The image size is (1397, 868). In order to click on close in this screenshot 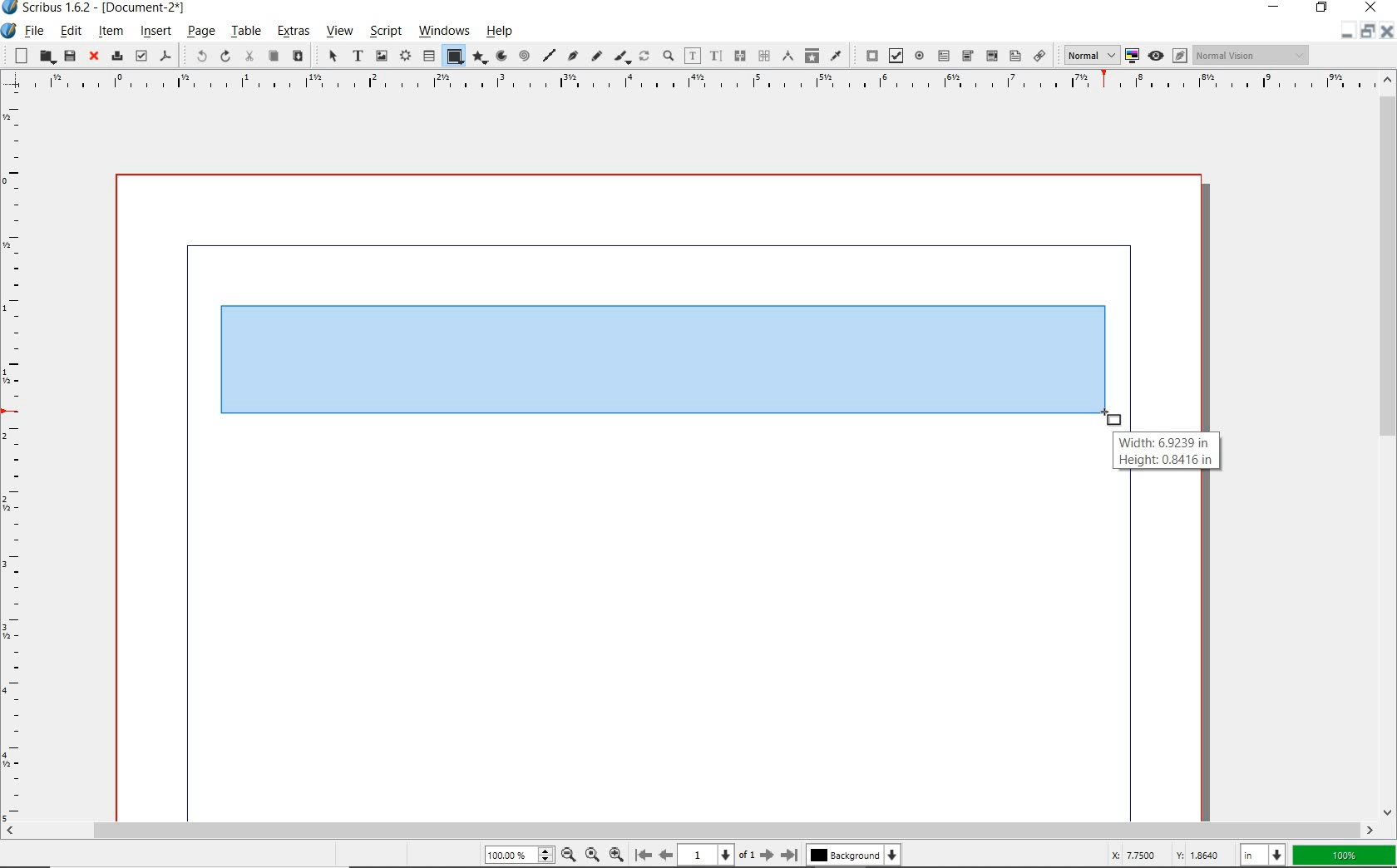, I will do `click(95, 57)`.